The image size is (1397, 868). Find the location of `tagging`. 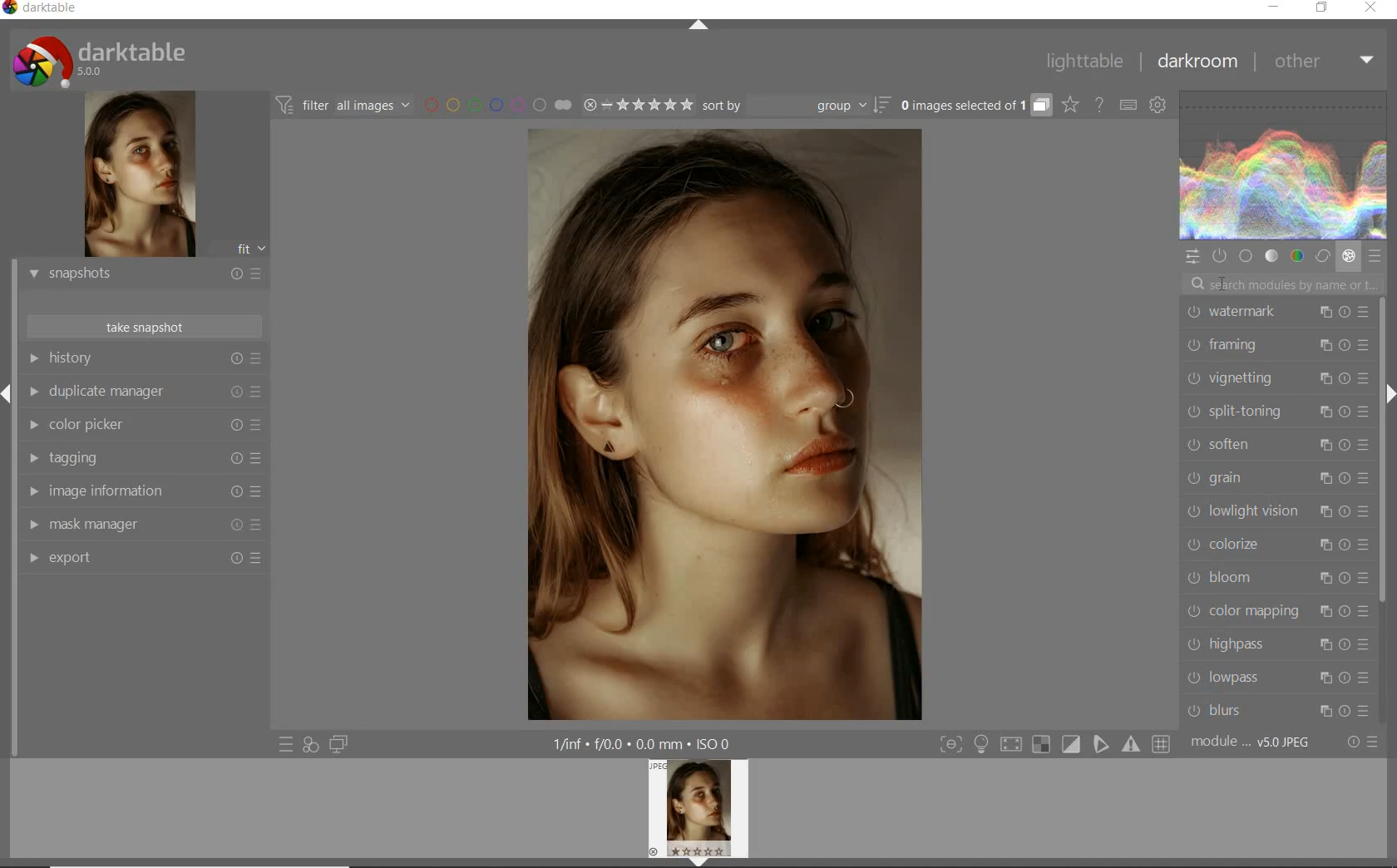

tagging is located at coordinates (143, 456).